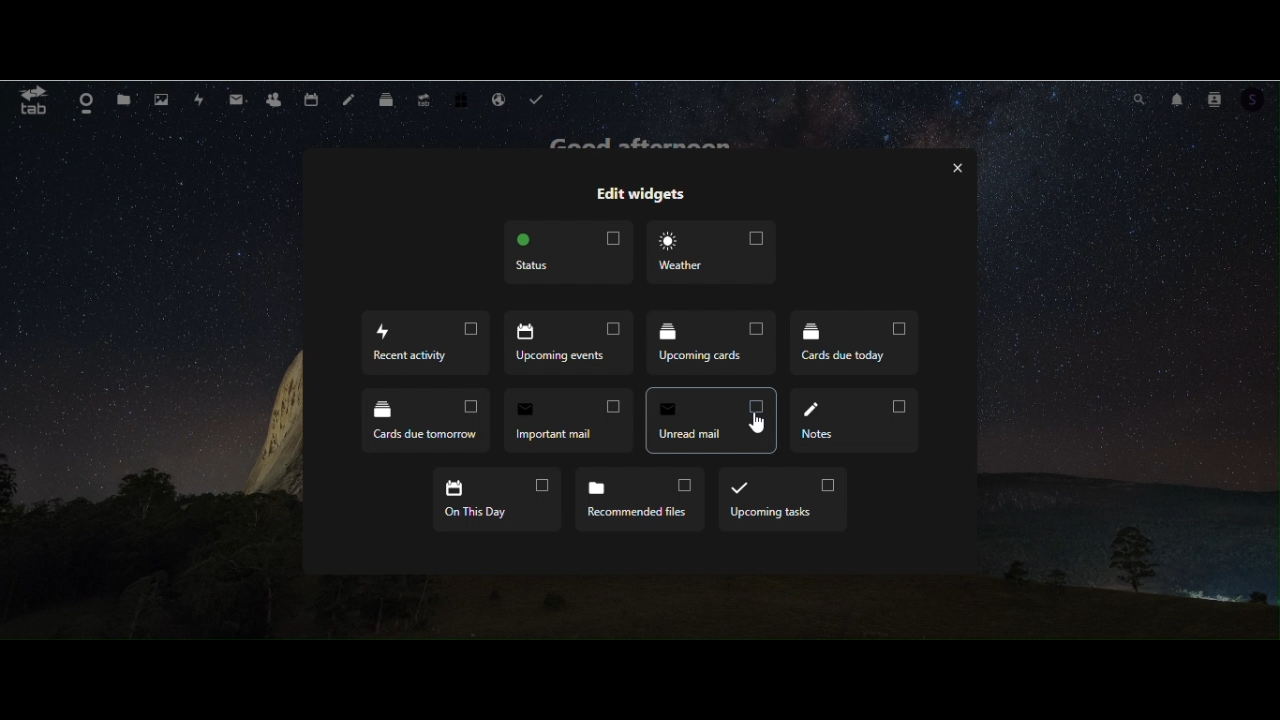  Describe the element at coordinates (426, 97) in the screenshot. I see `upgrade` at that location.